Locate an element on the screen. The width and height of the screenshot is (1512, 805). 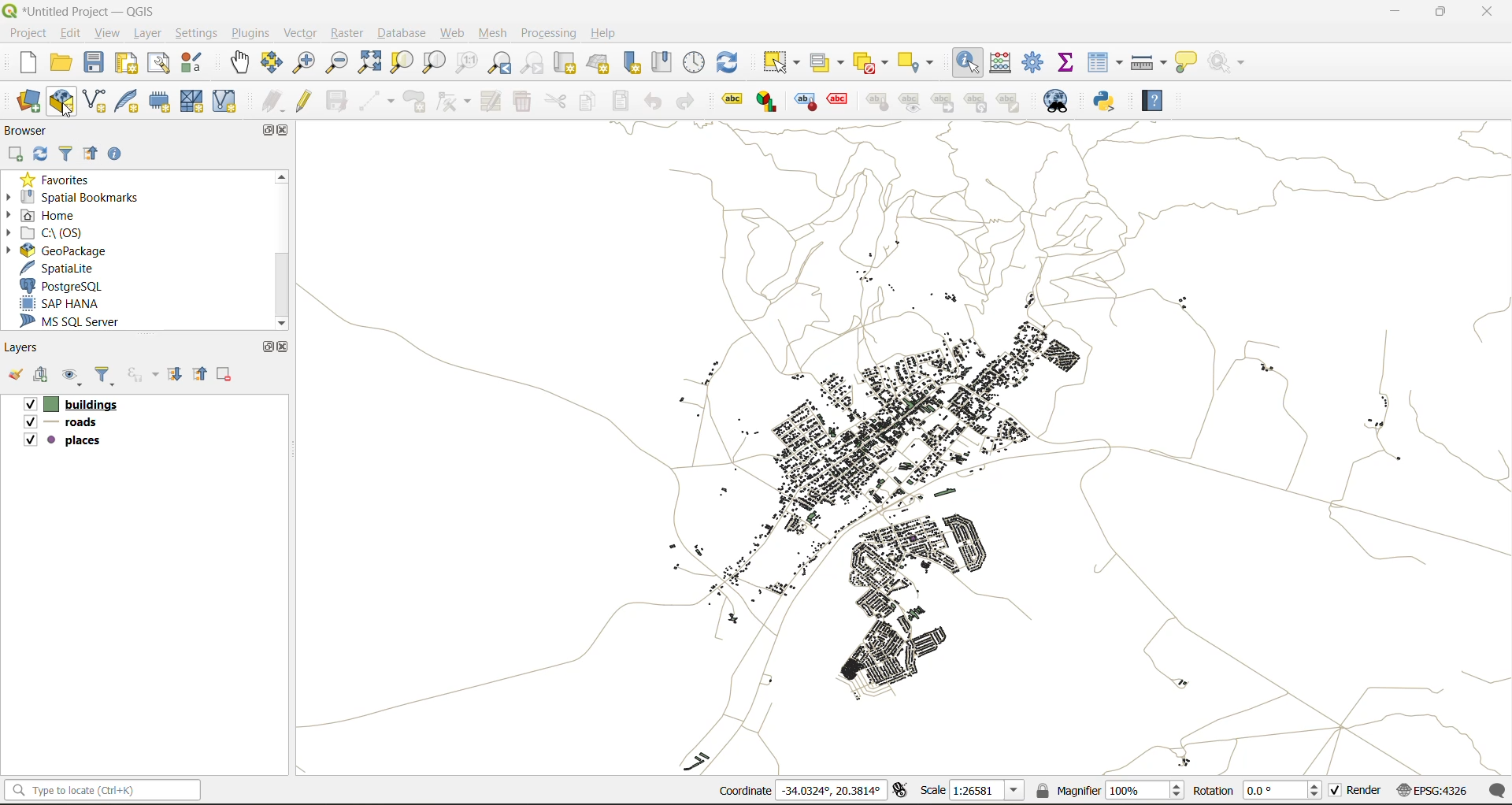
save edits is located at coordinates (339, 101).